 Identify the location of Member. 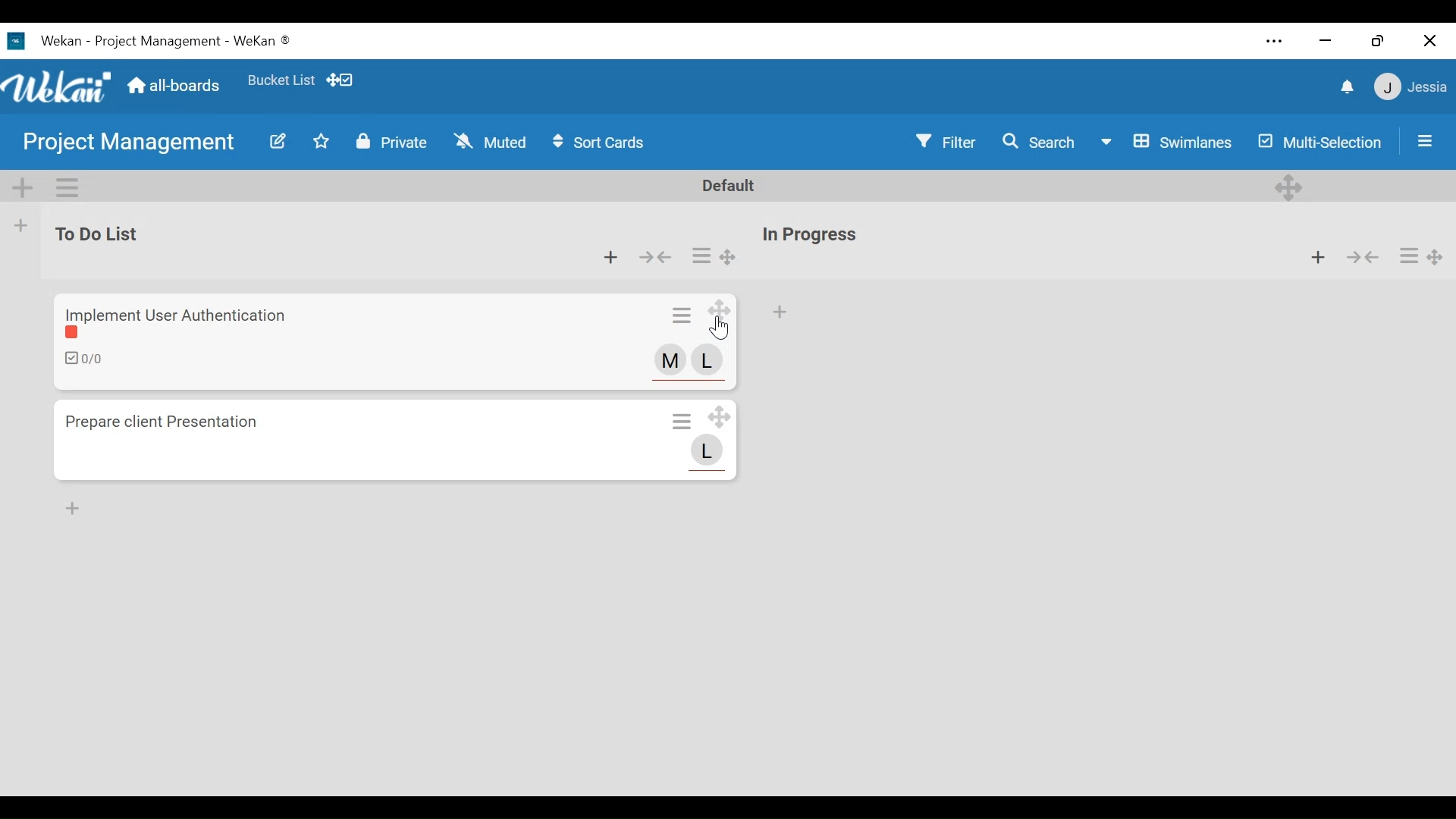
(709, 452).